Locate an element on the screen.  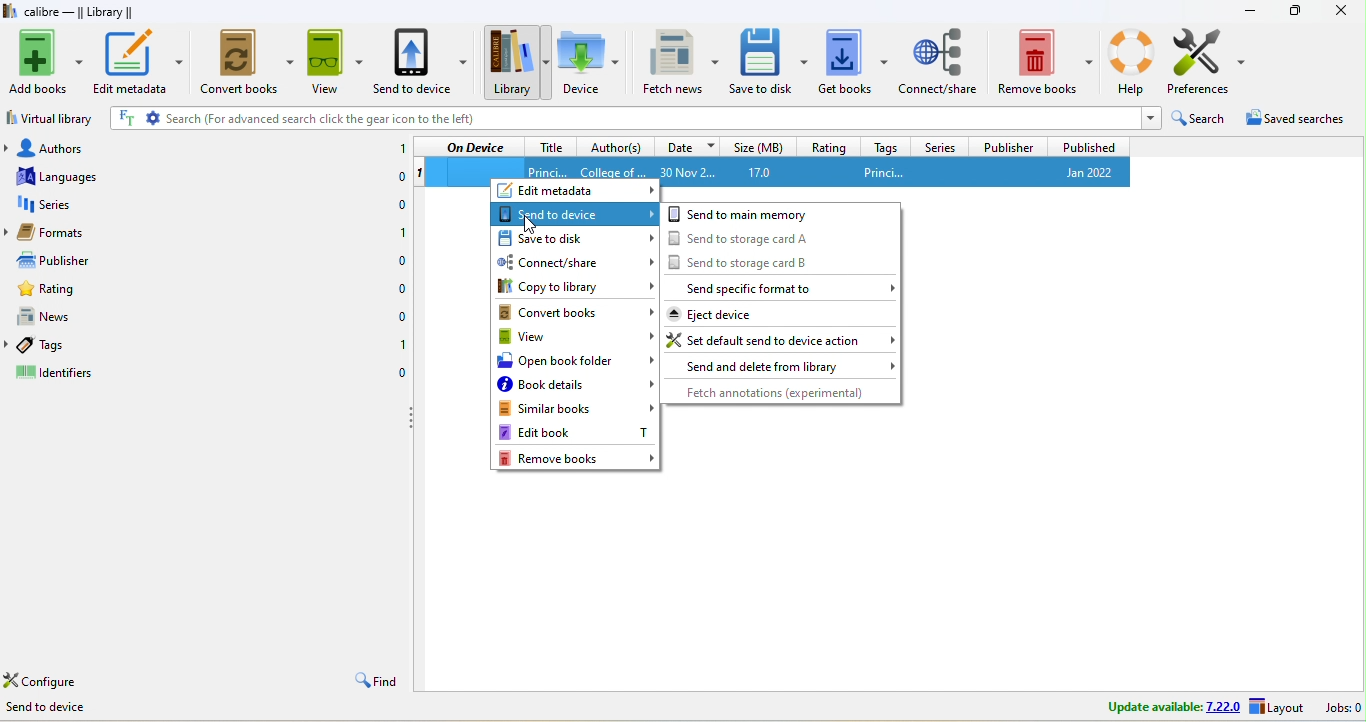
30 nov 2 is located at coordinates (694, 169).